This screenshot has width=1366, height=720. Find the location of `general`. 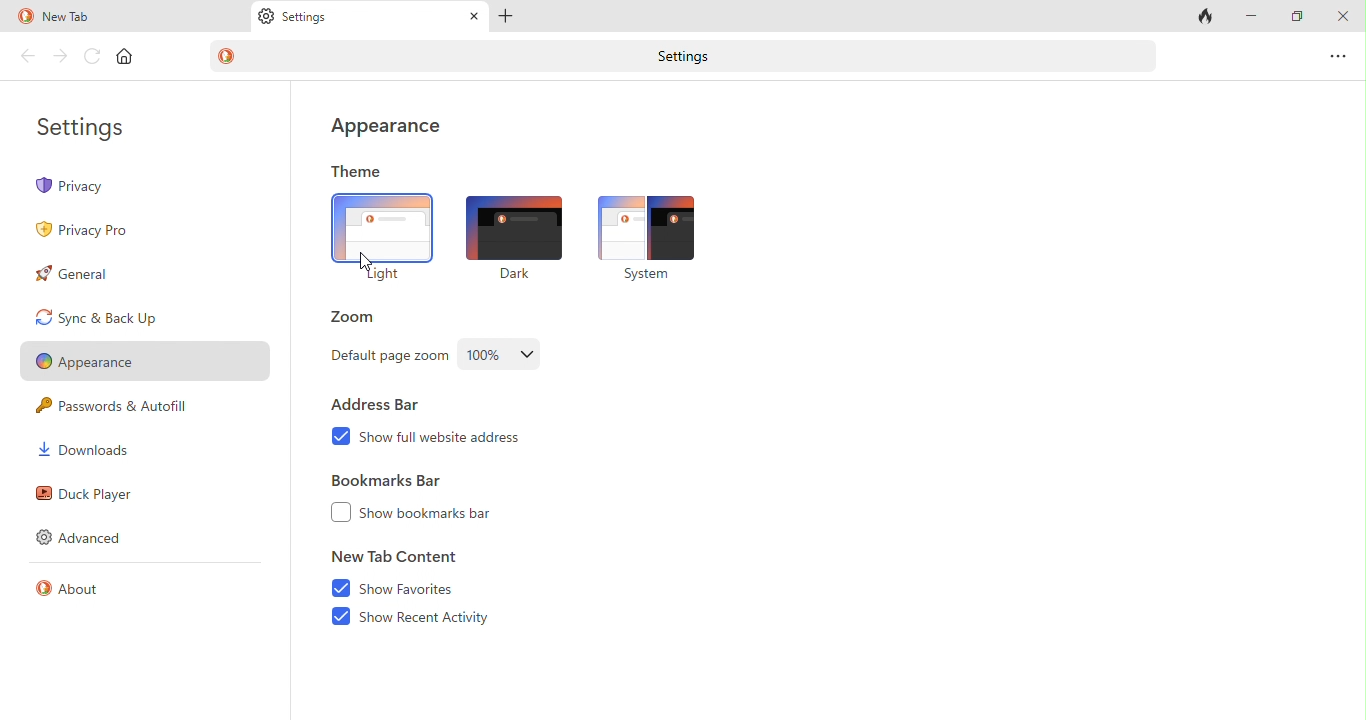

general is located at coordinates (85, 277).